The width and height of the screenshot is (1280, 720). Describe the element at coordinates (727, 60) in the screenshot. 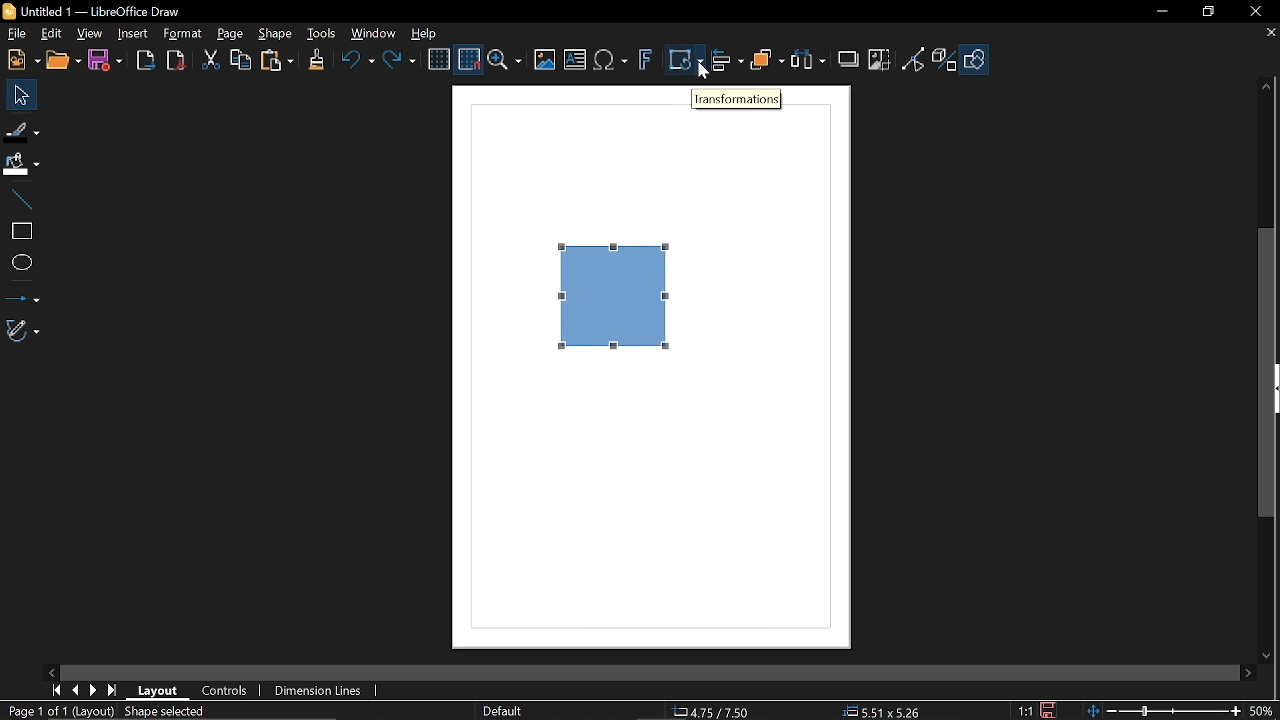

I see `Align` at that location.